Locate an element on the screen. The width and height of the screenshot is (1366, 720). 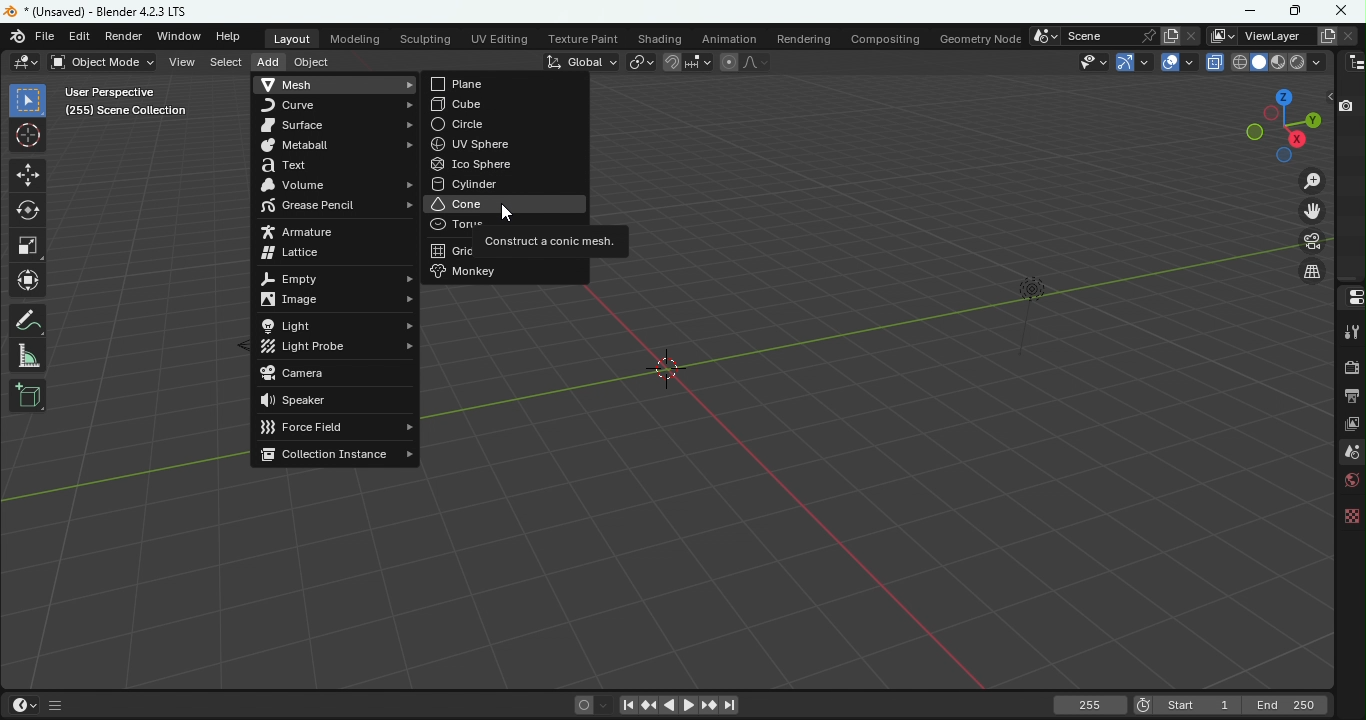
Object is located at coordinates (314, 64).